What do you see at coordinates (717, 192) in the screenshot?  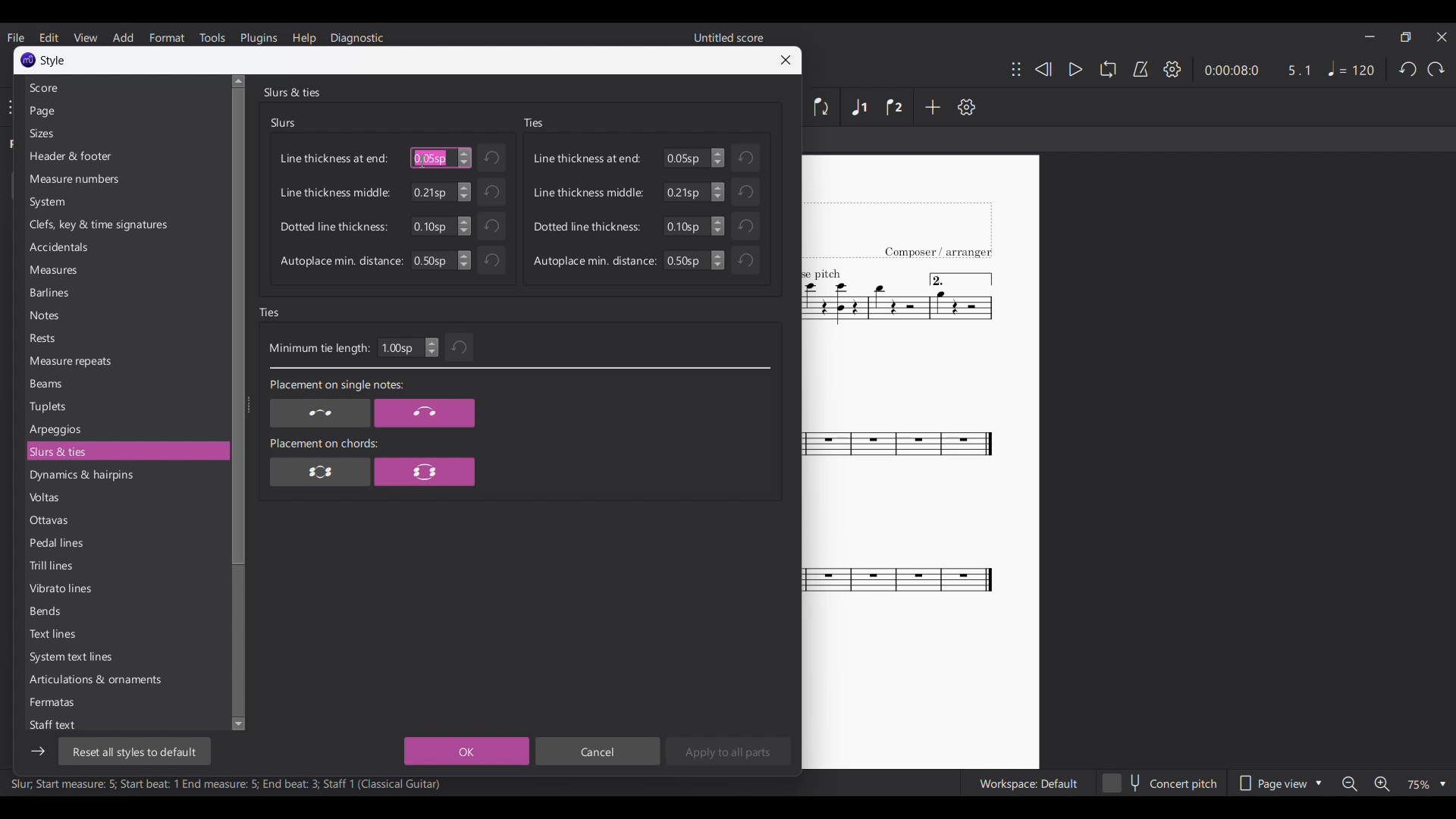 I see `Change line thickness middle` at bounding box center [717, 192].